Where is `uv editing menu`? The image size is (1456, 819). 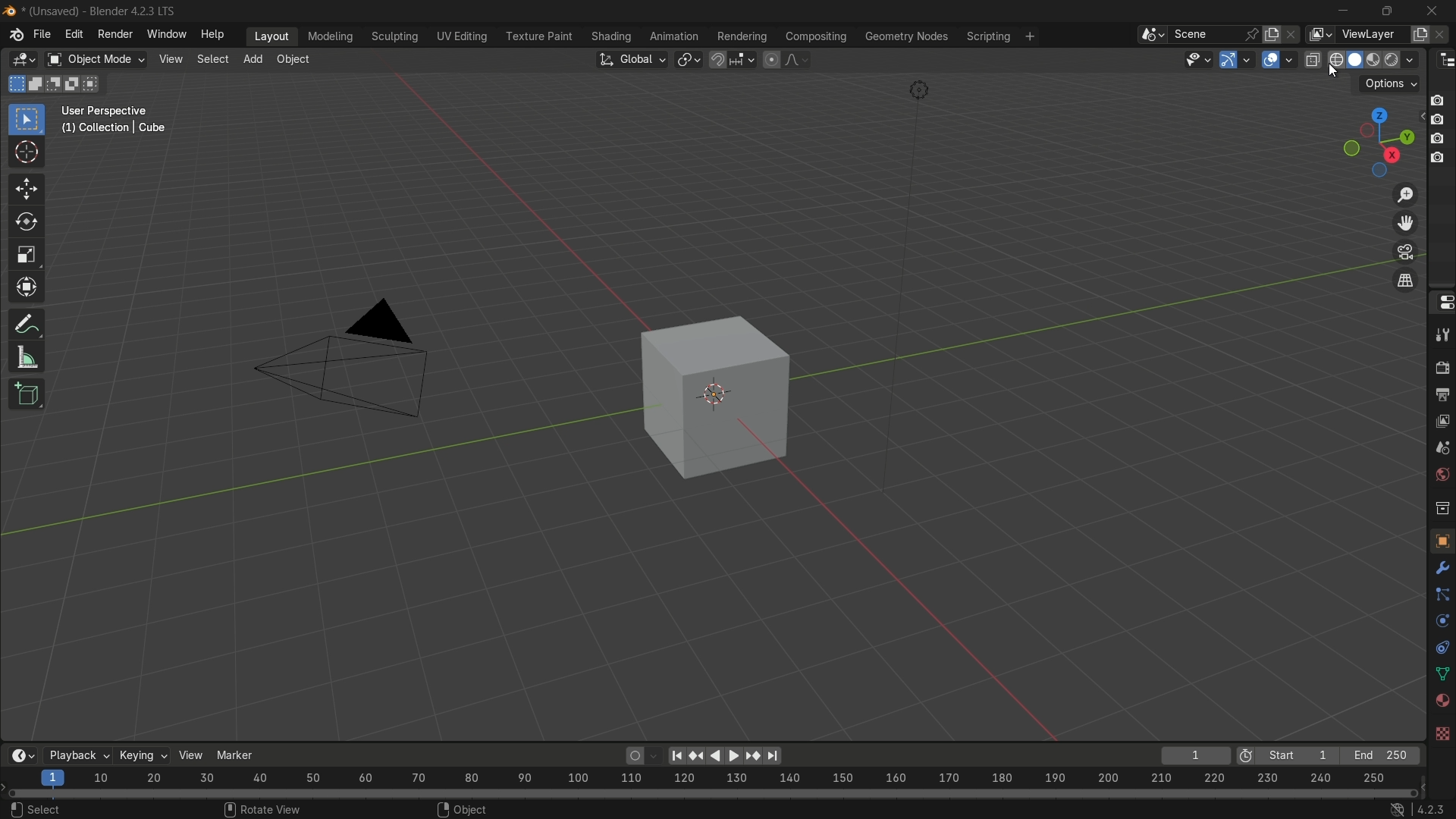
uv editing menu is located at coordinates (461, 37).